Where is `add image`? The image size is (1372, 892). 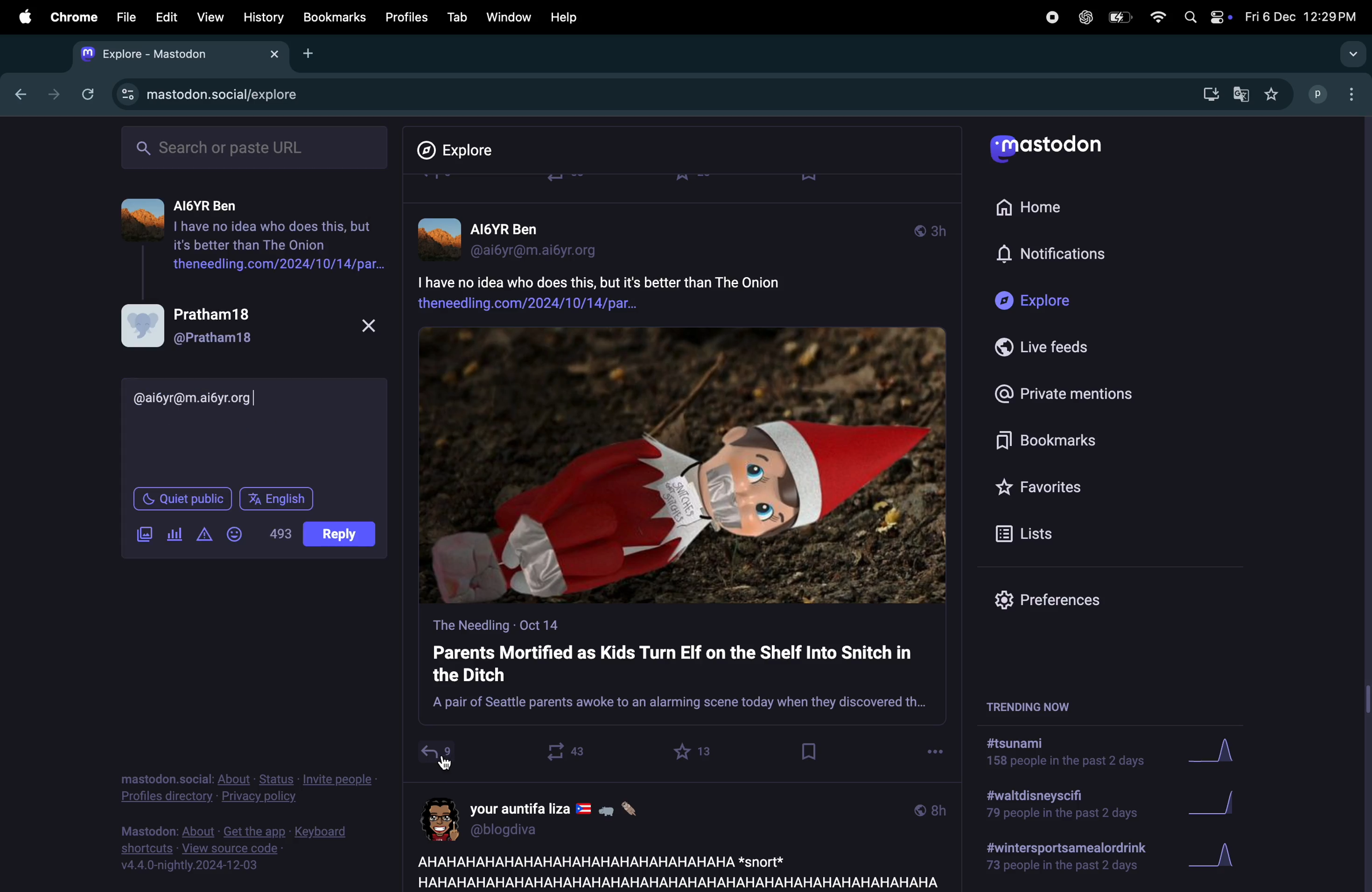 add image is located at coordinates (144, 532).